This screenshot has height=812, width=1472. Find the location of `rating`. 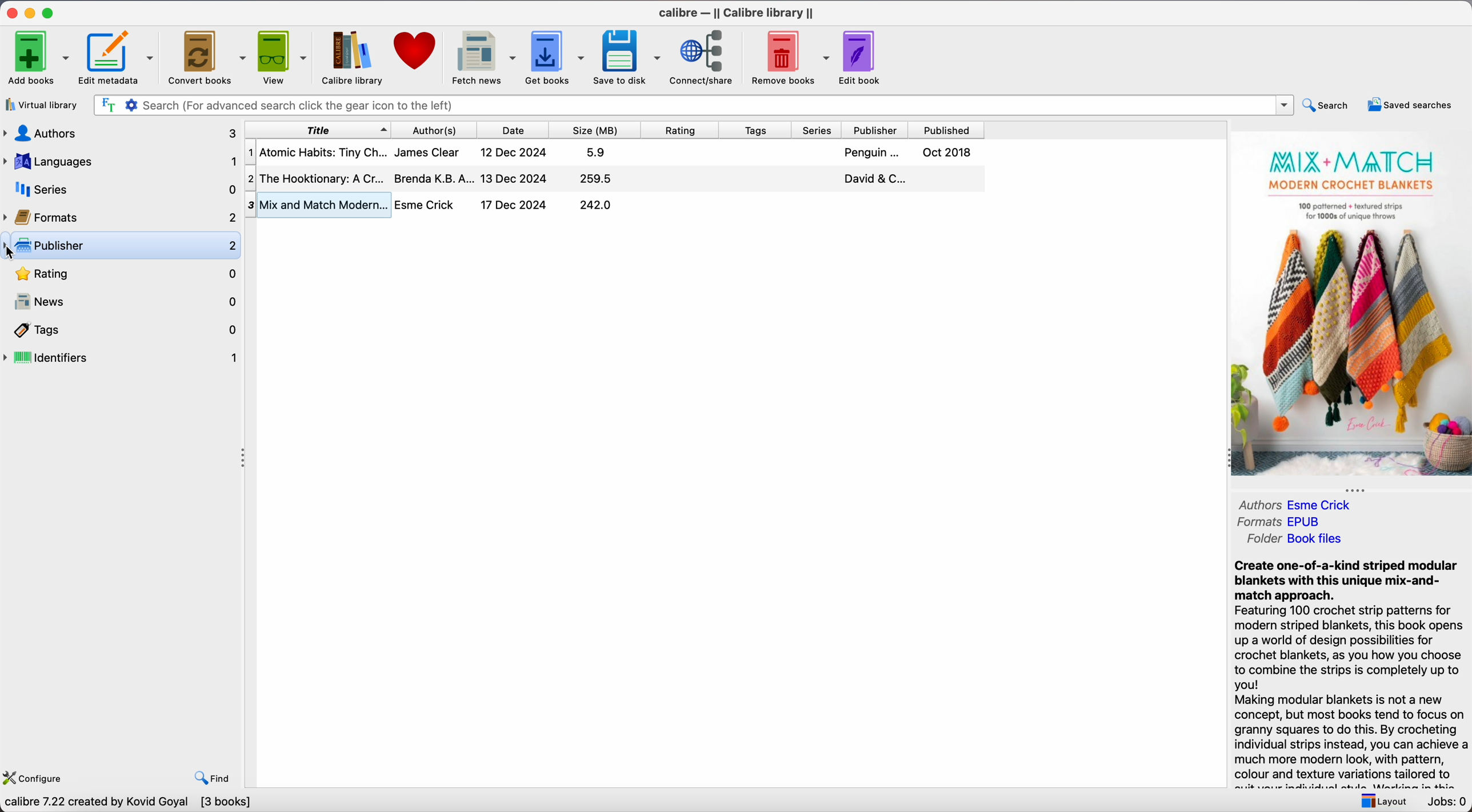

rating is located at coordinates (122, 274).